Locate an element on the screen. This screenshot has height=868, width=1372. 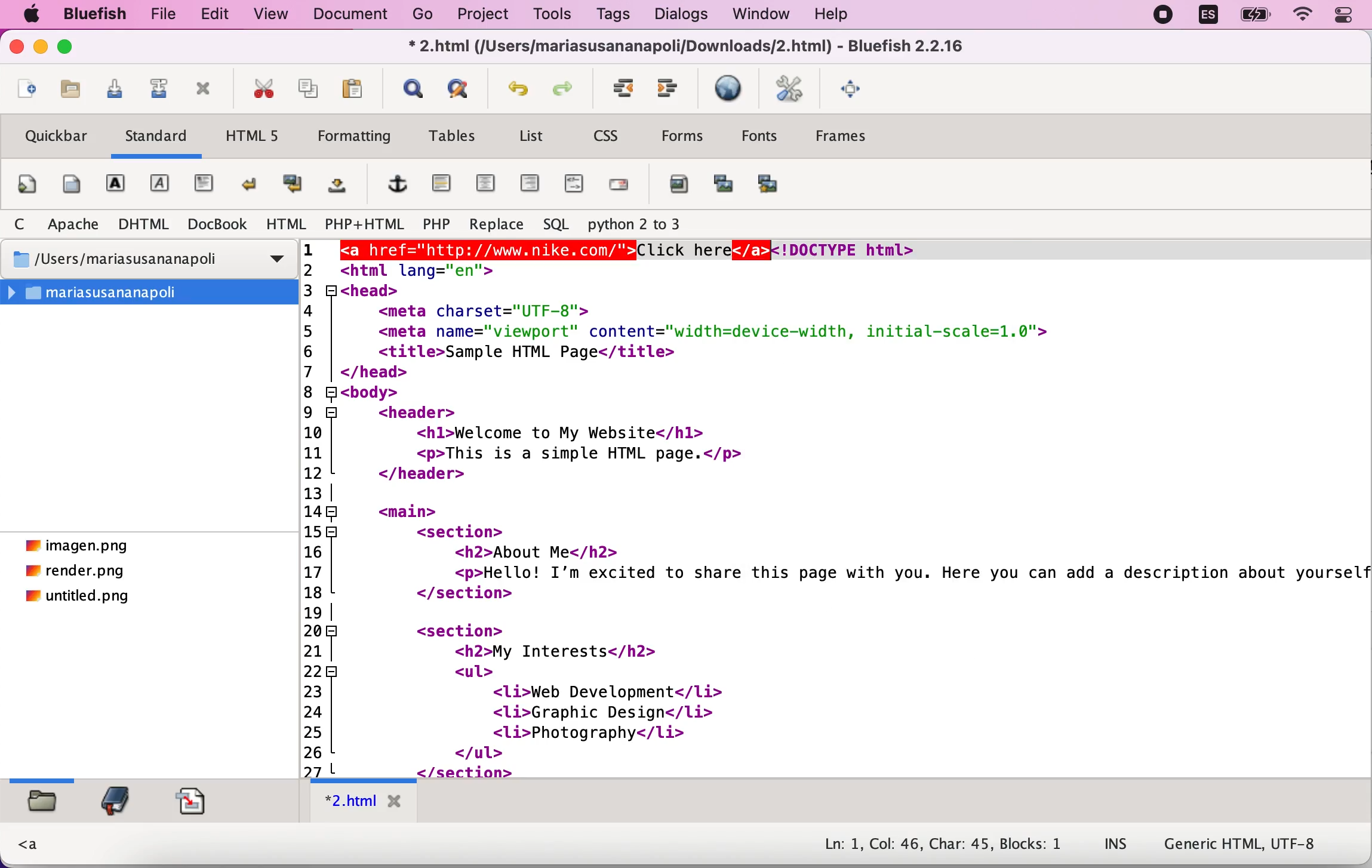
emphasis is located at coordinates (159, 184).